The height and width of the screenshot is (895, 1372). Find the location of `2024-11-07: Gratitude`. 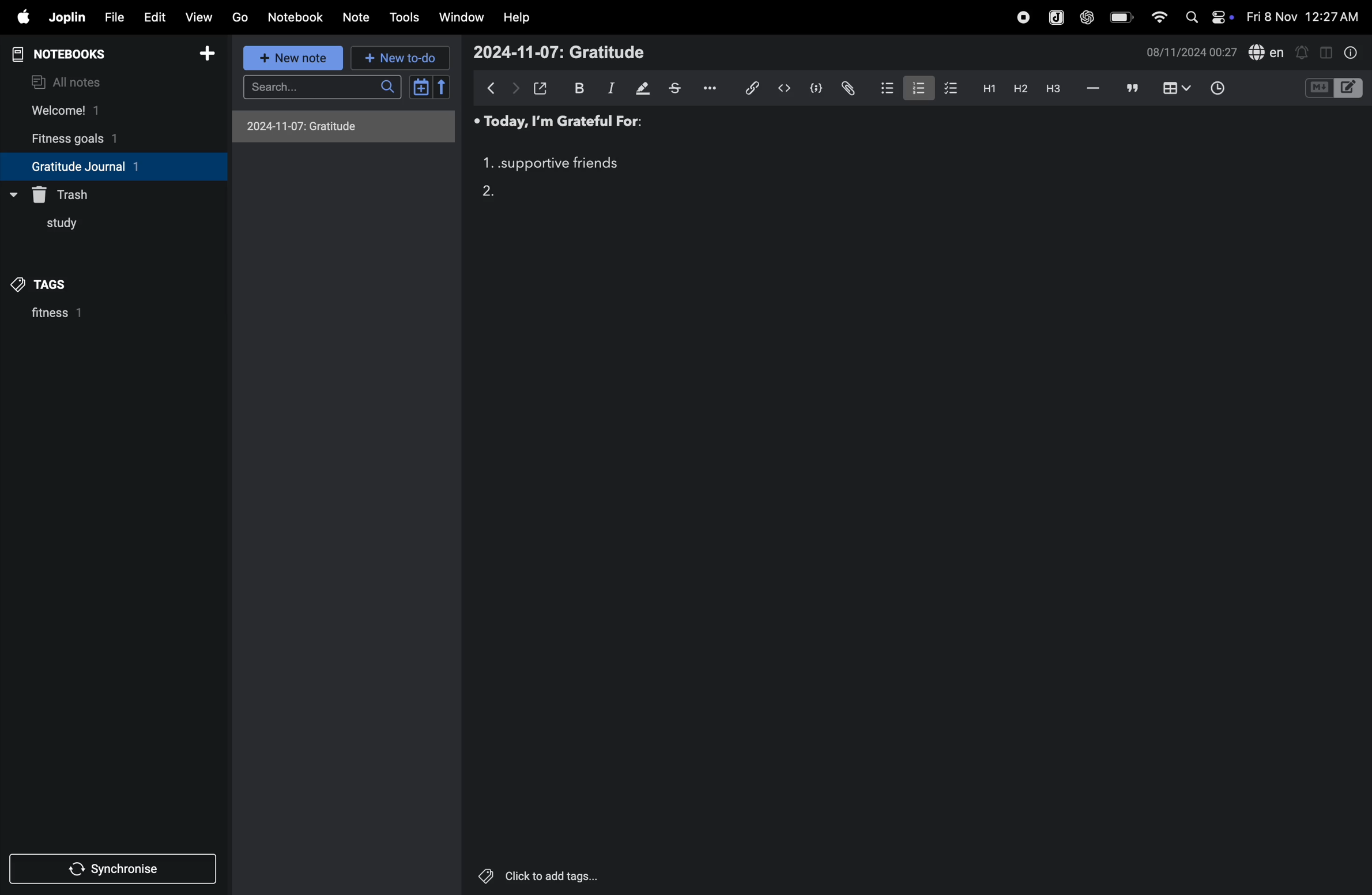

2024-11-07: Gratitude is located at coordinates (344, 127).